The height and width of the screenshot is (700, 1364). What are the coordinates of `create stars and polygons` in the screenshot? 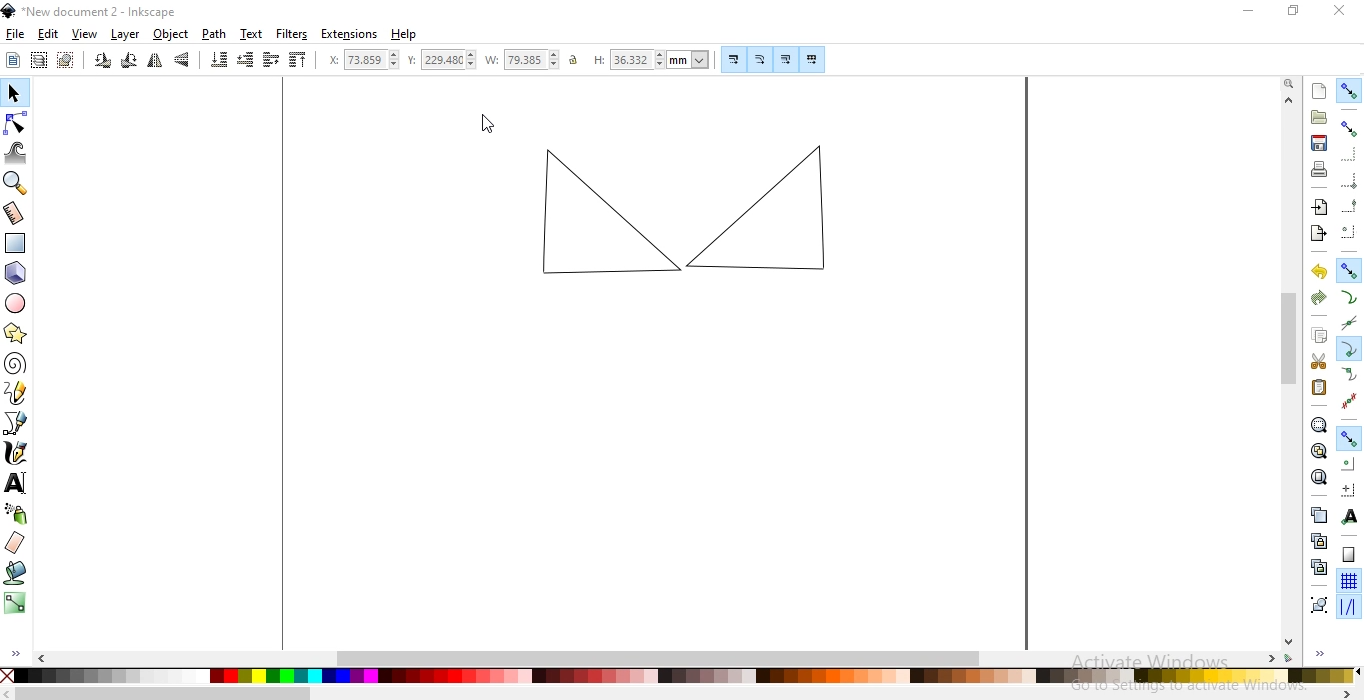 It's located at (16, 333).